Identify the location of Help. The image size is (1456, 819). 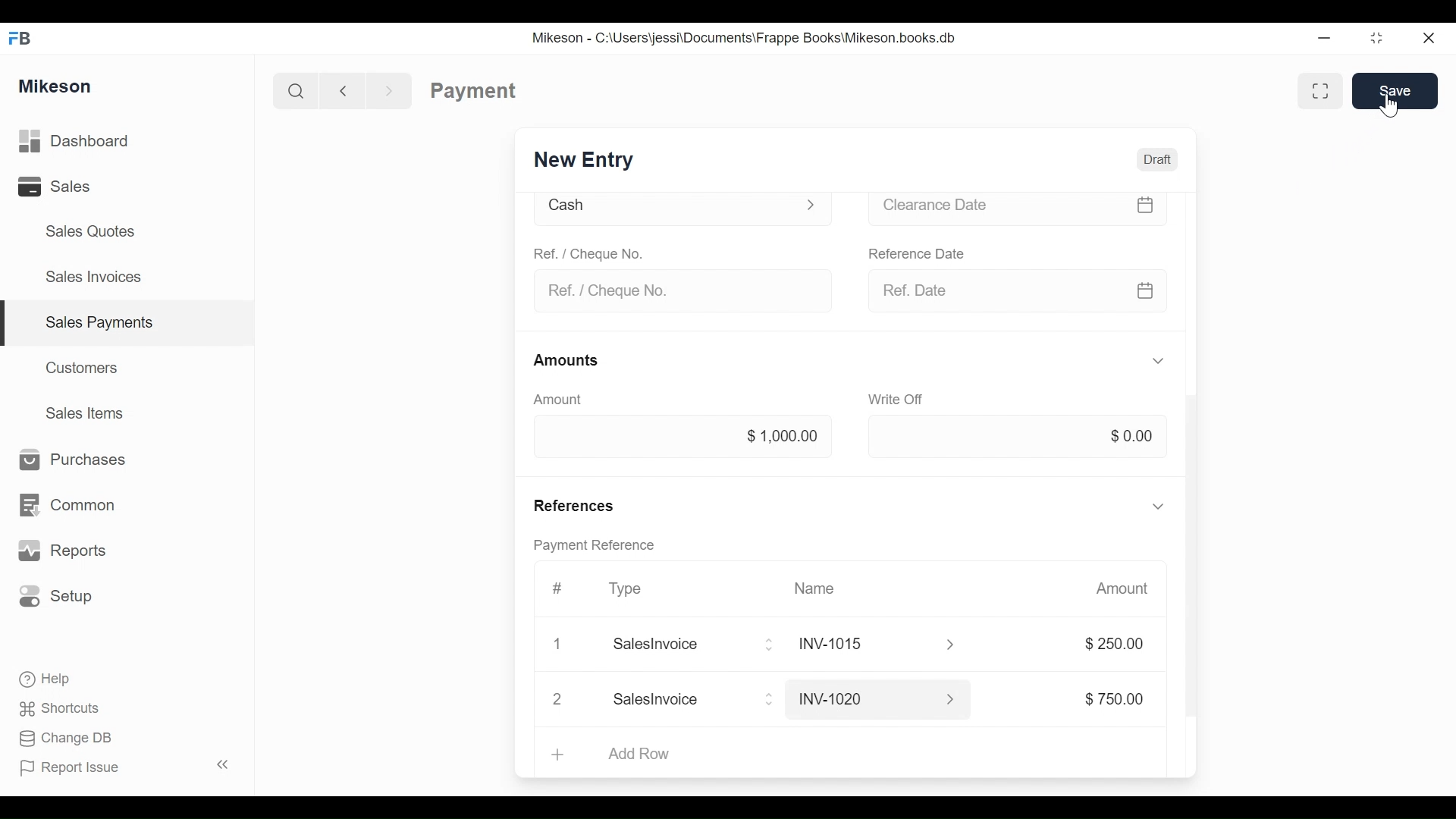
(56, 679).